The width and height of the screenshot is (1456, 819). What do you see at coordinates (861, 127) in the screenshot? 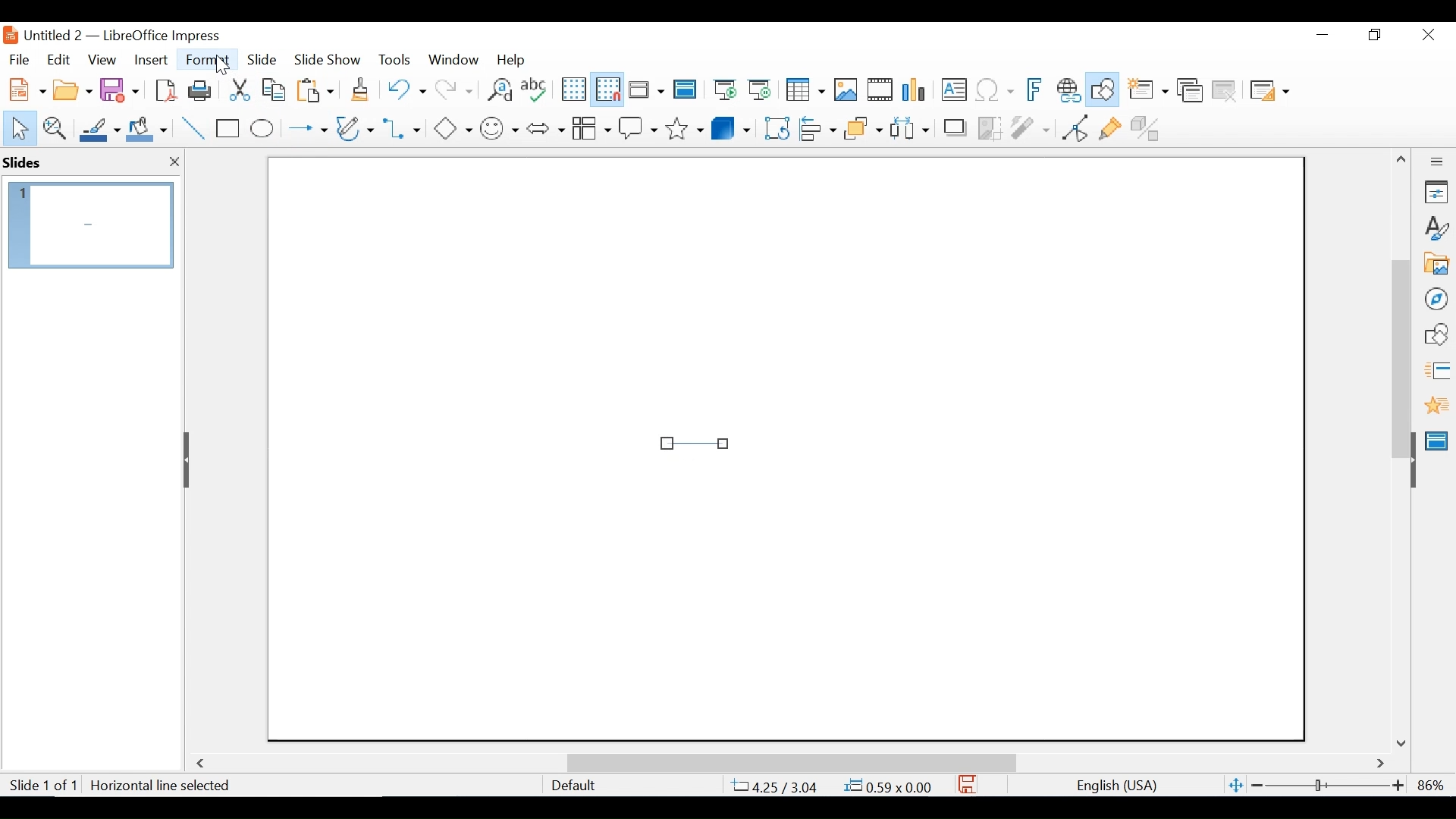
I see `Arrange` at bounding box center [861, 127].